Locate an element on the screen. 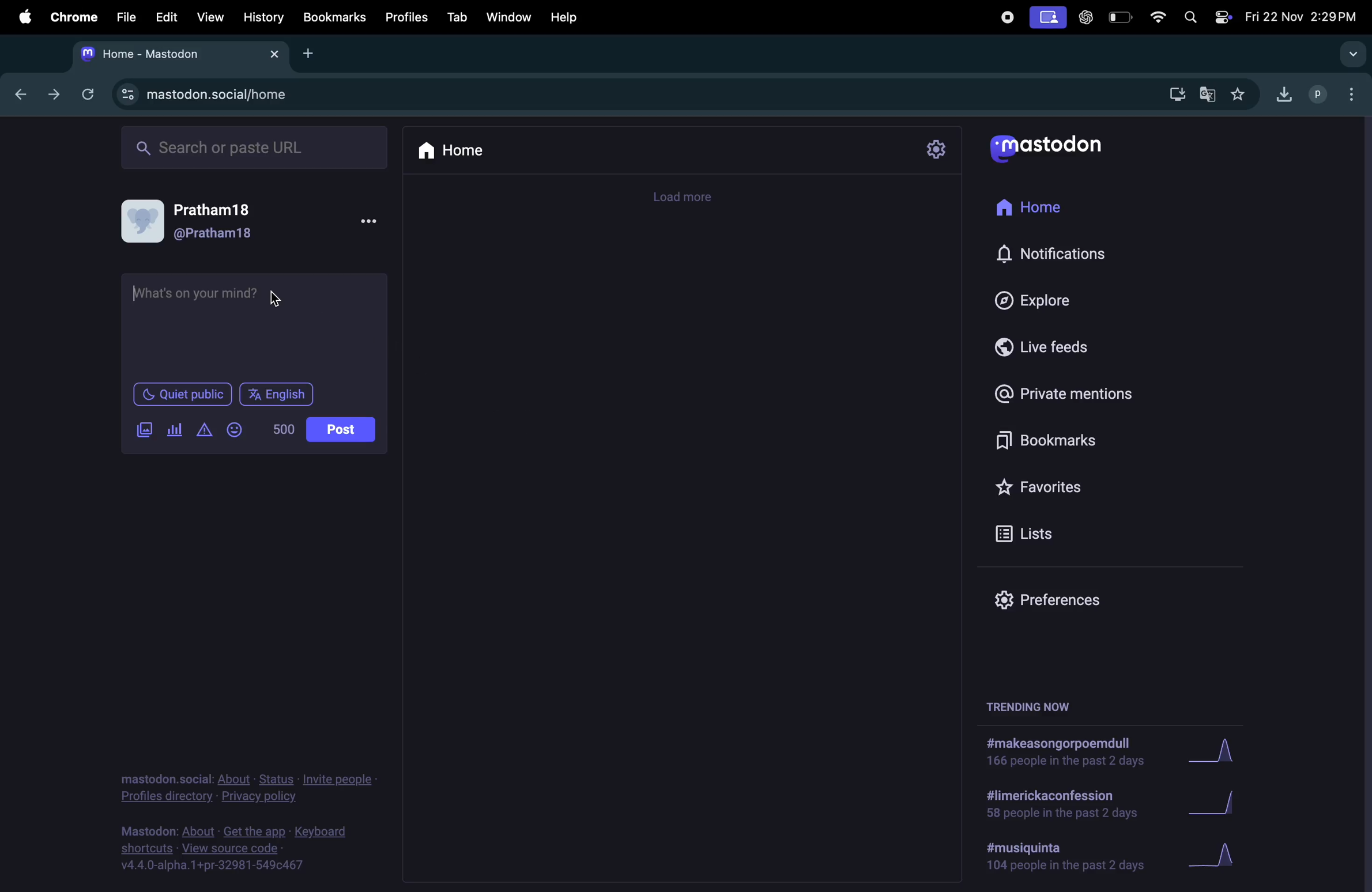  search bar is located at coordinates (251, 145).